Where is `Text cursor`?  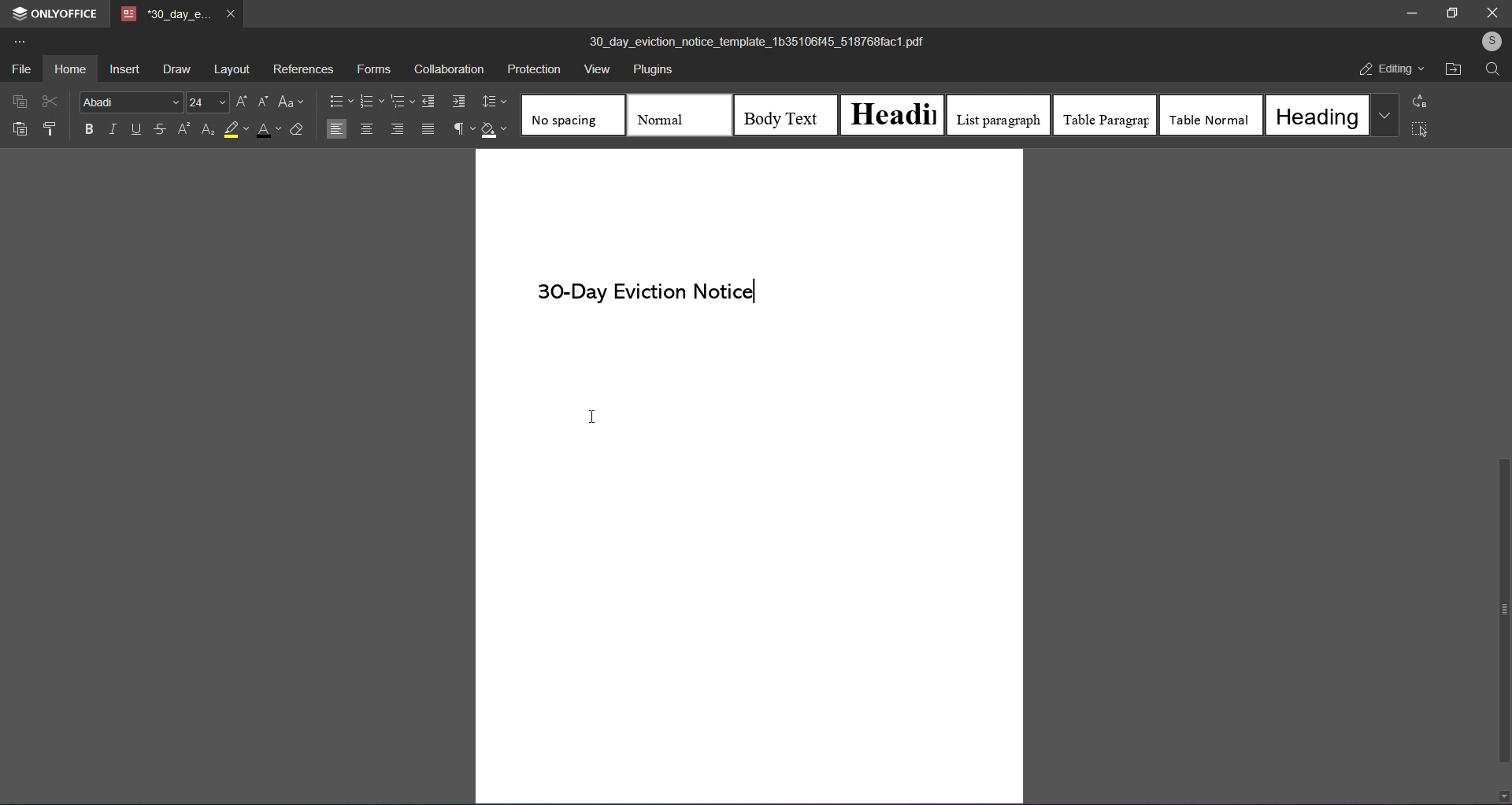 Text cursor is located at coordinates (758, 293).